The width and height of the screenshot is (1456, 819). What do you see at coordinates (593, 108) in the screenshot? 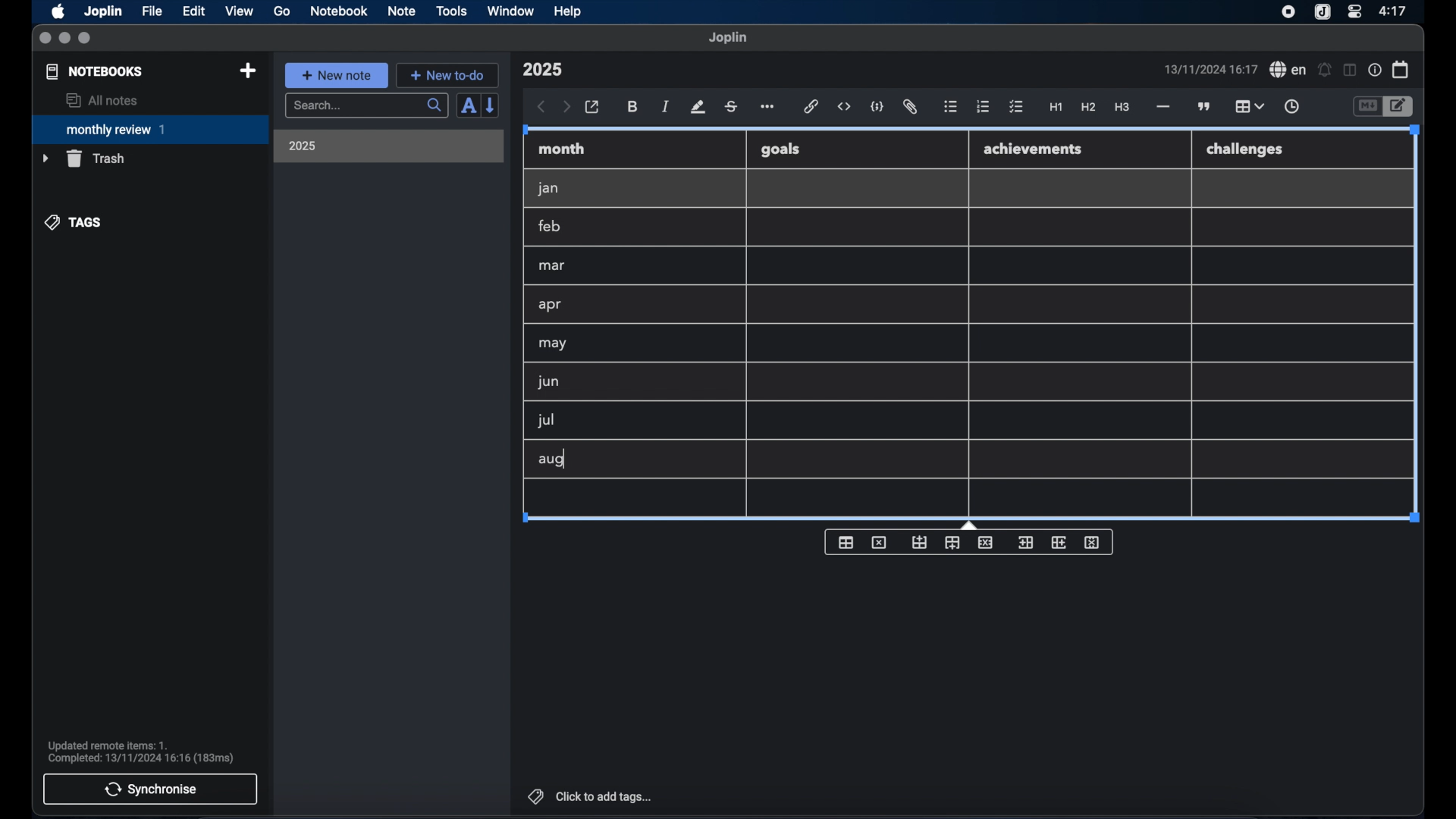
I see `open in external editor` at bounding box center [593, 108].